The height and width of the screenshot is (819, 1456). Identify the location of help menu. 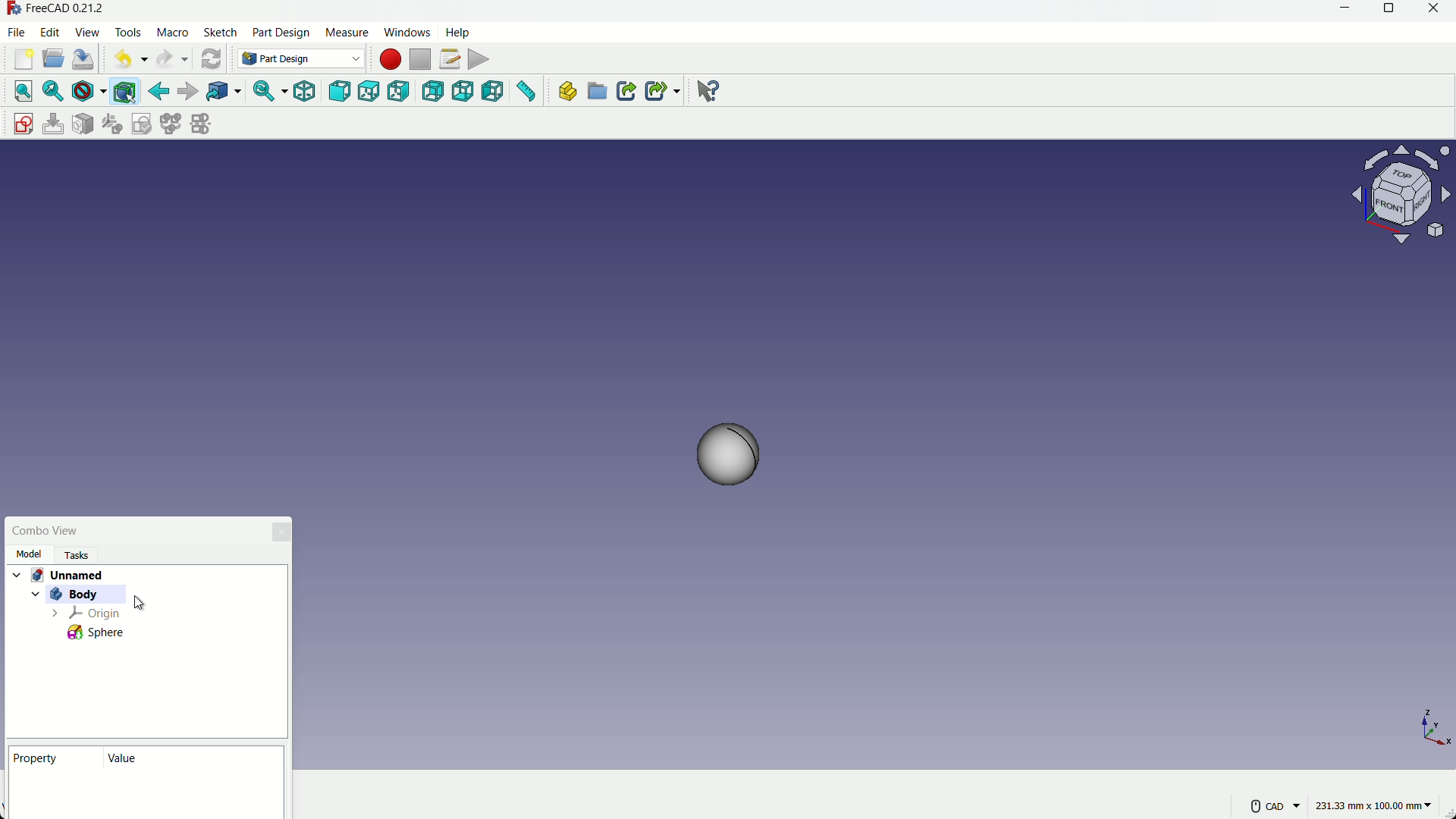
(457, 33).